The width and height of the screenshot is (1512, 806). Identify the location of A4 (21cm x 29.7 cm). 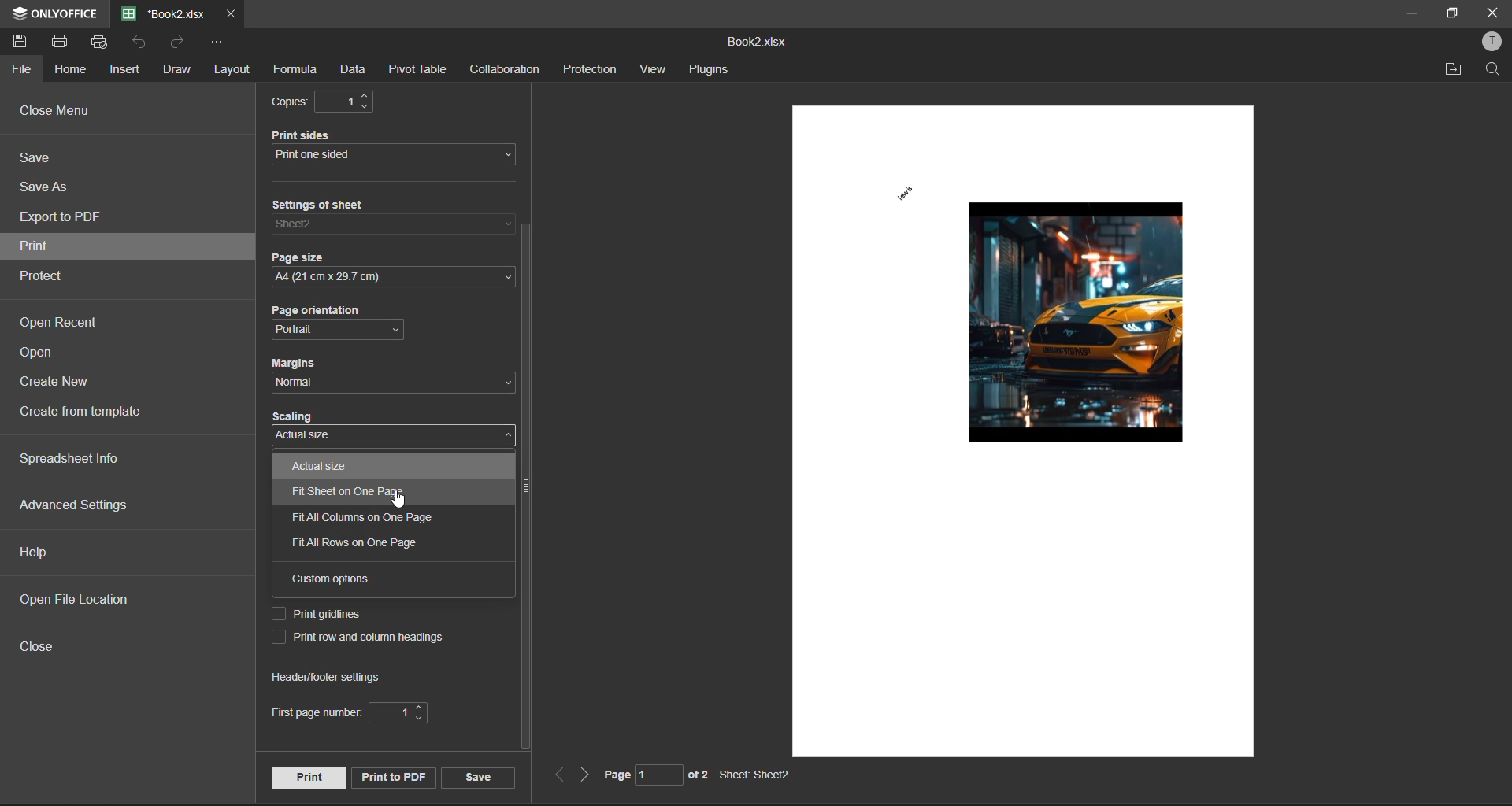
(382, 279).